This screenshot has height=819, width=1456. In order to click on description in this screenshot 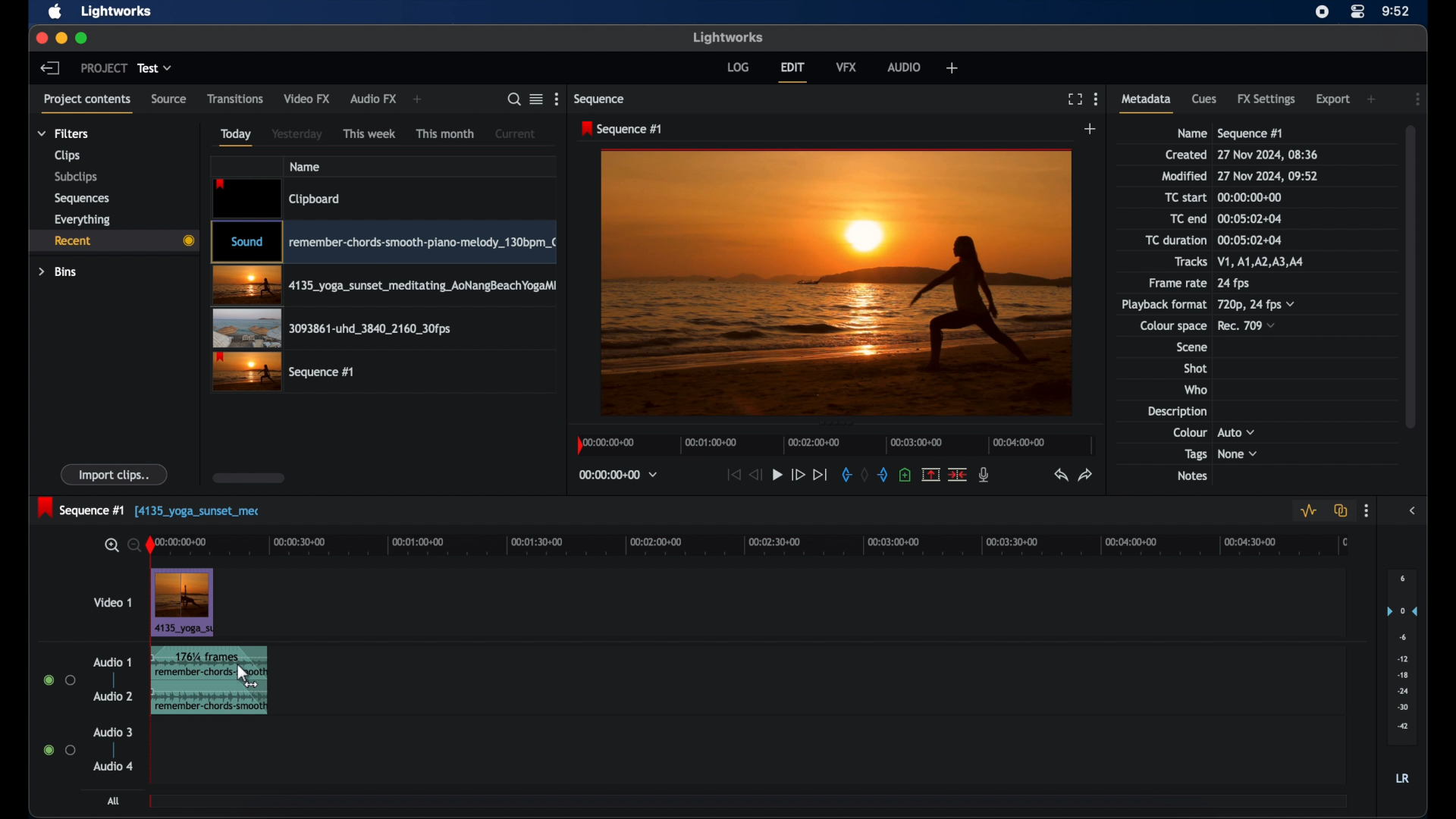, I will do `click(1175, 411)`.